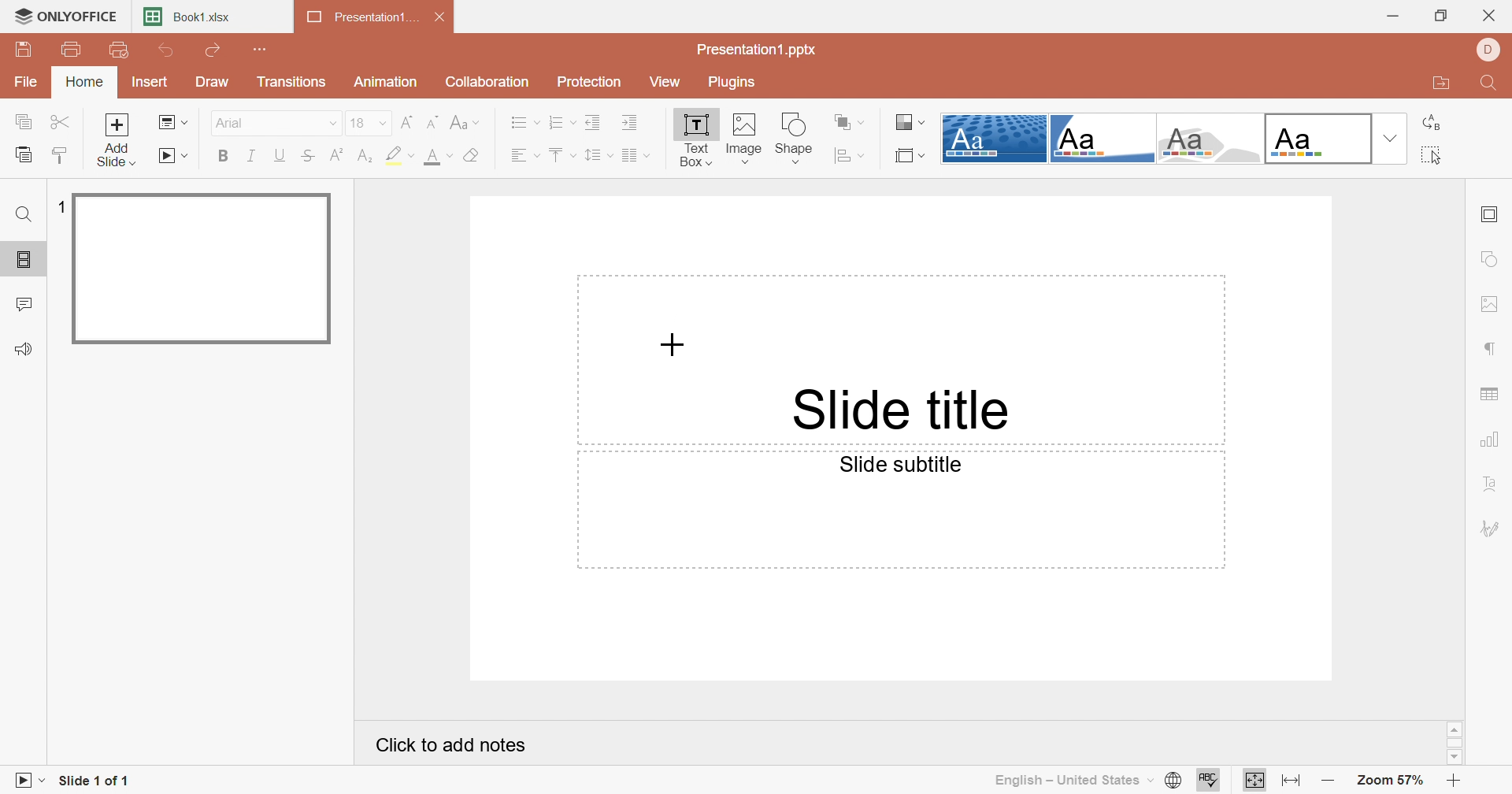 Image resolution: width=1512 pixels, height=794 pixels. Describe the element at coordinates (1492, 83) in the screenshot. I see `Find` at that location.